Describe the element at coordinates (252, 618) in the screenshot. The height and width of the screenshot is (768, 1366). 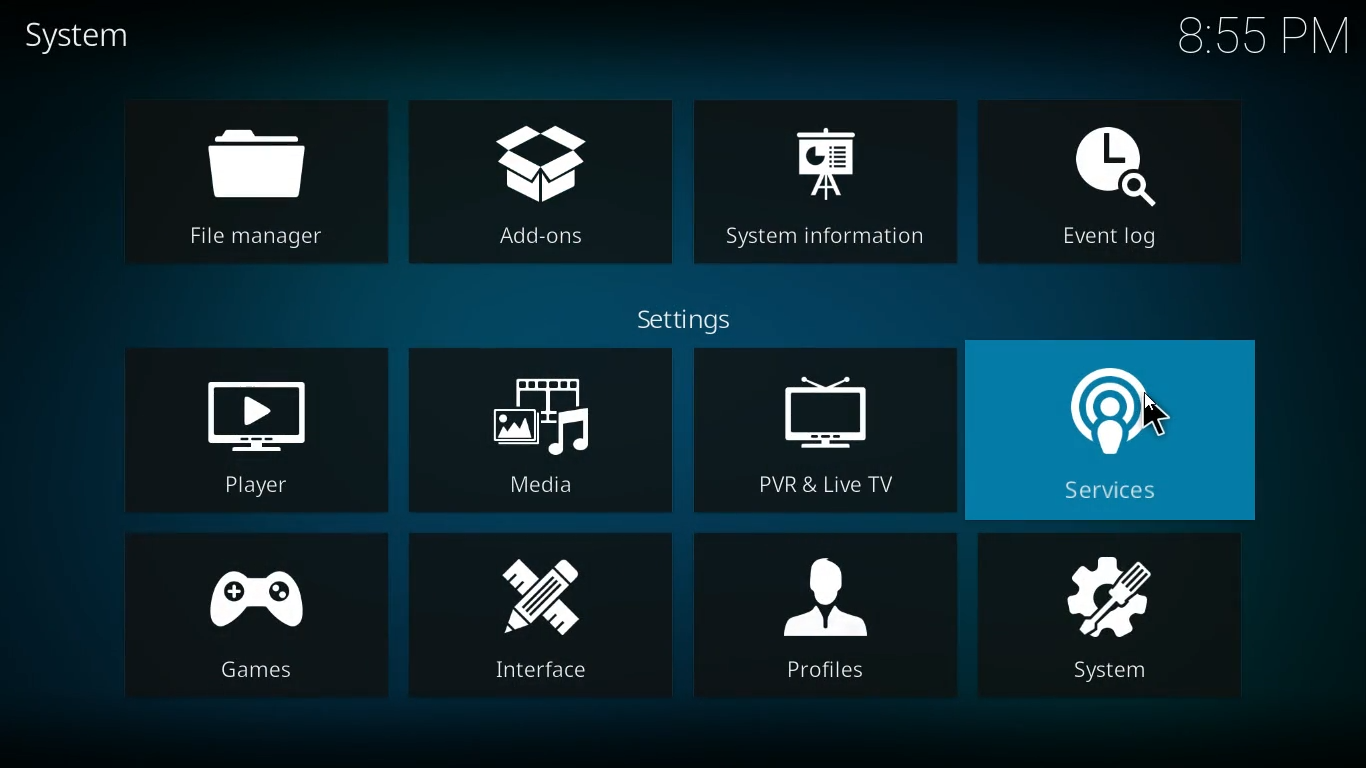
I see `games` at that location.